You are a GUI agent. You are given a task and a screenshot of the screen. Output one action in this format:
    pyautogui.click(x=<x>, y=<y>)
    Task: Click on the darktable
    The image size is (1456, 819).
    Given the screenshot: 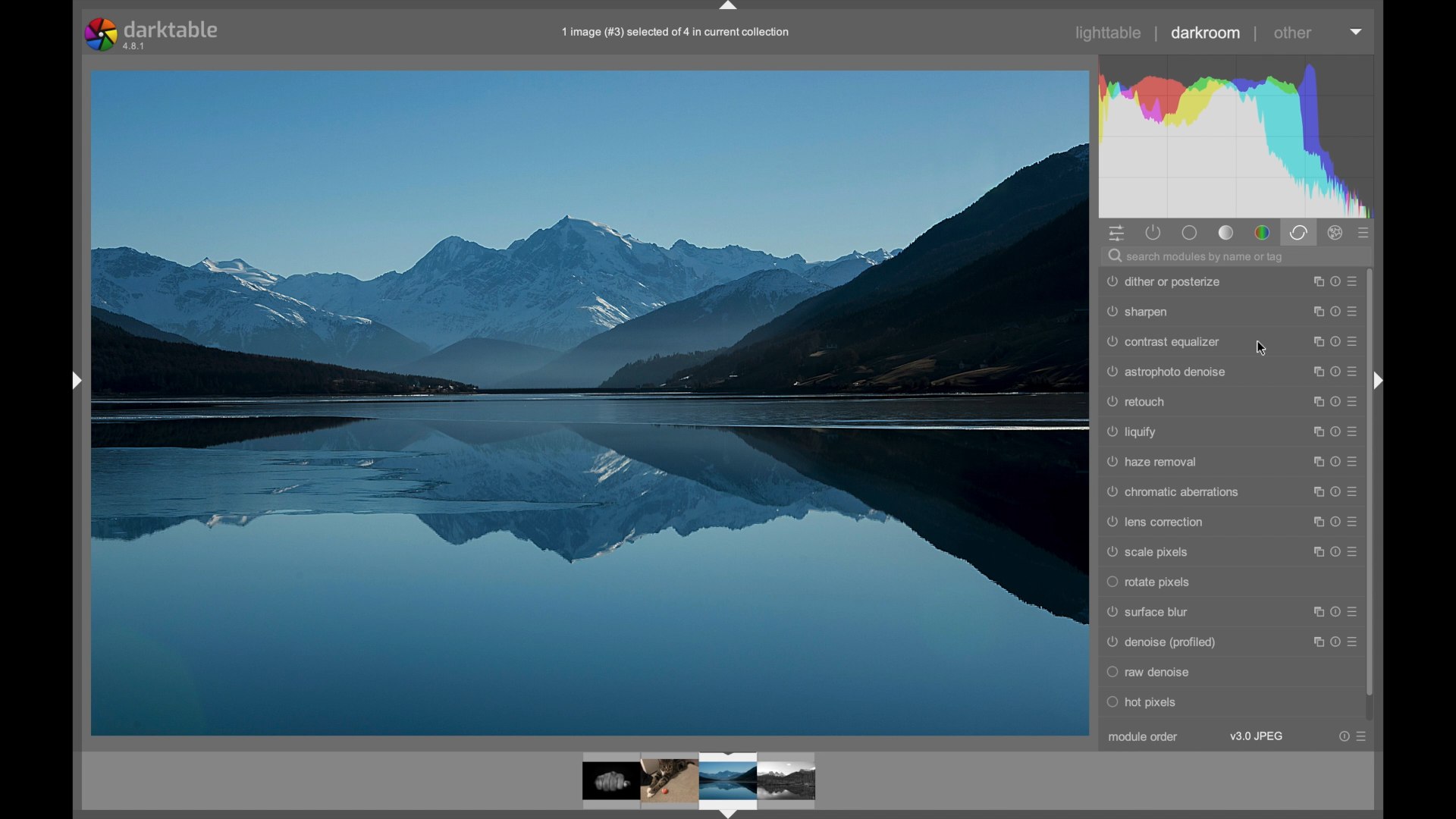 What is the action you would take?
    pyautogui.click(x=152, y=35)
    